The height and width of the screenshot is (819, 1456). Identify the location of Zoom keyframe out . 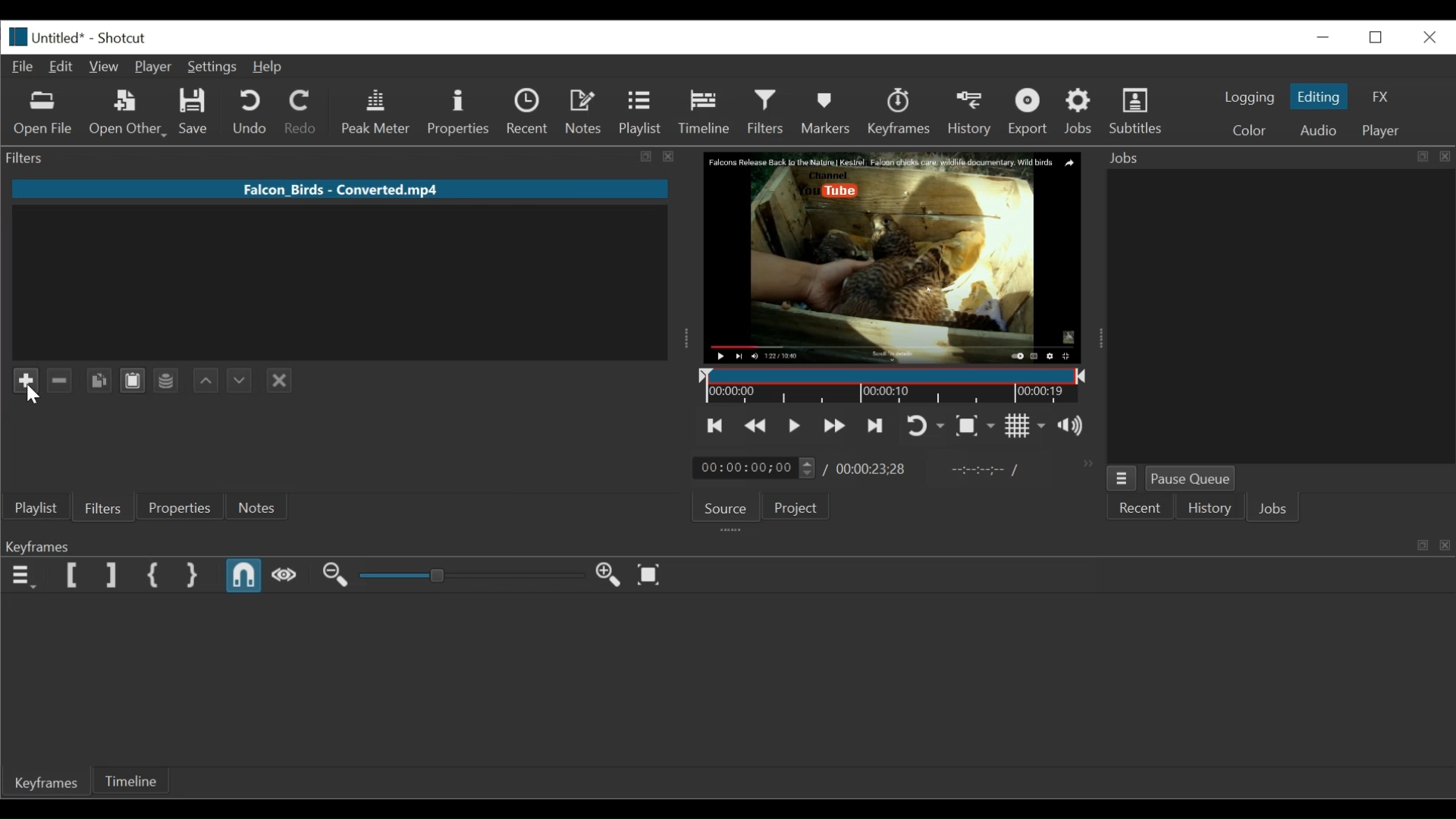
(610, 576).